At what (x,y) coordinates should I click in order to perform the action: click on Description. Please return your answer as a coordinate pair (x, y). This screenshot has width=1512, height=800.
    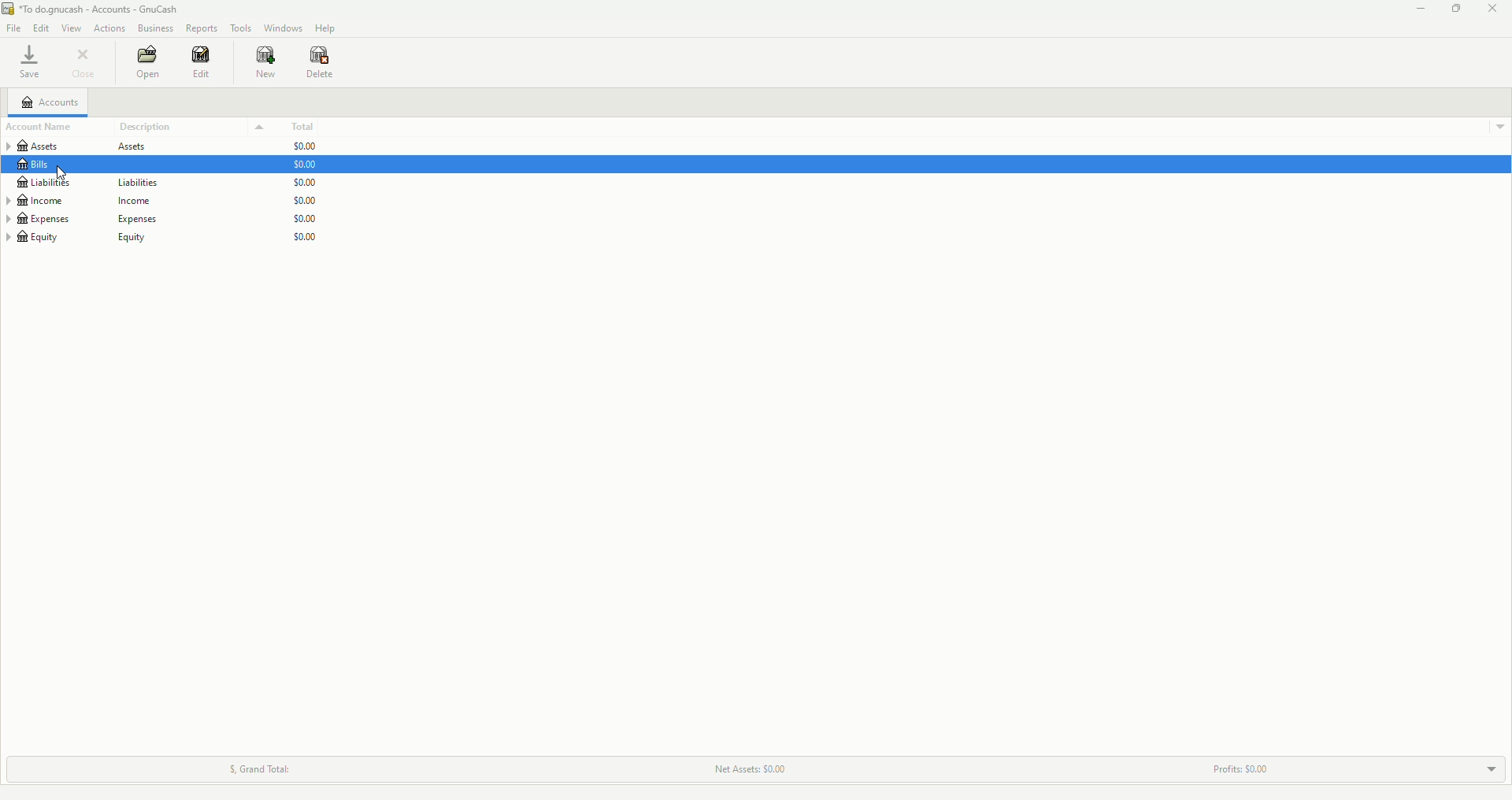
    Looking at the image, I should click on (192, 127).